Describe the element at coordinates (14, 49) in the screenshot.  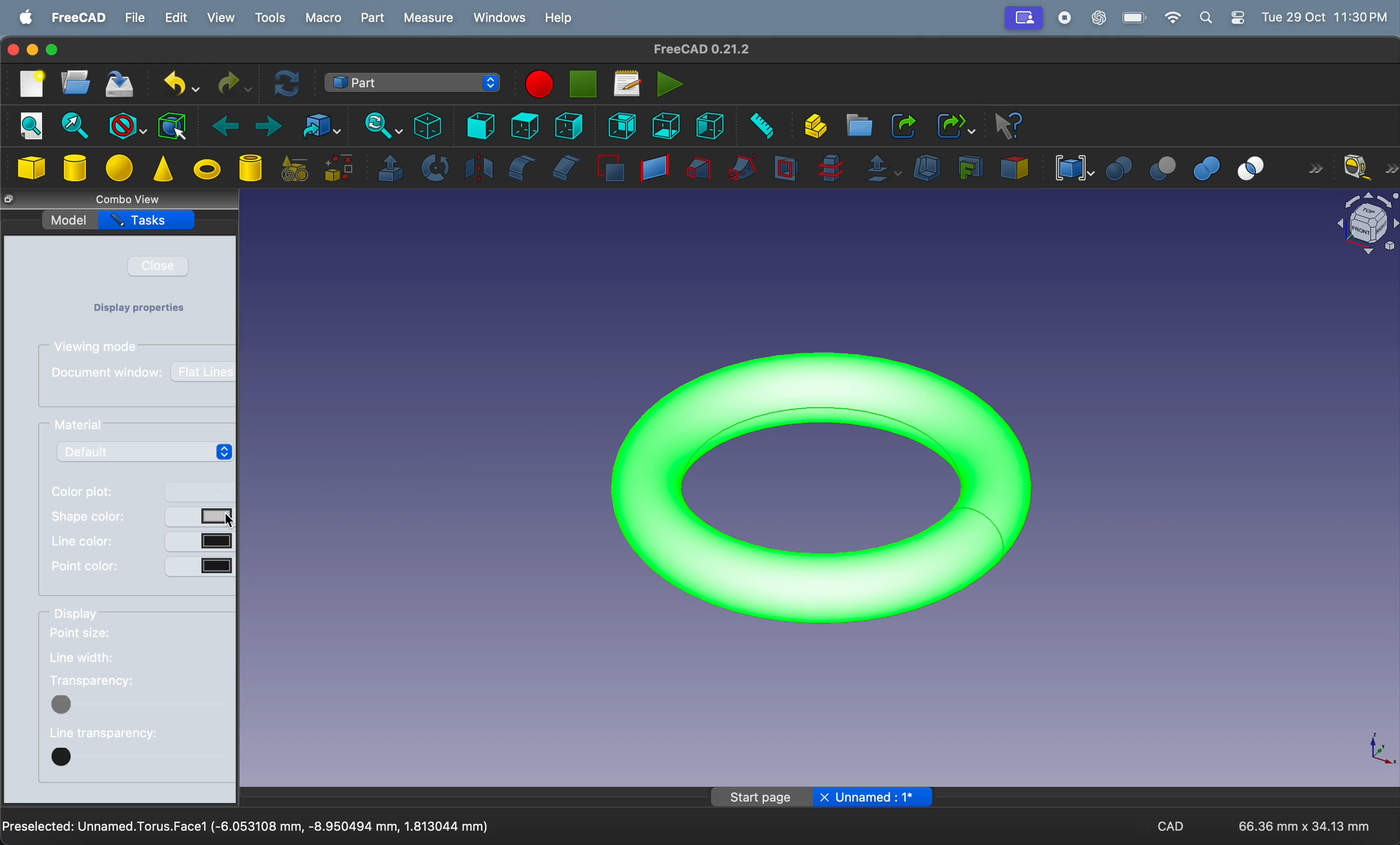
I see `closing window` at that location.